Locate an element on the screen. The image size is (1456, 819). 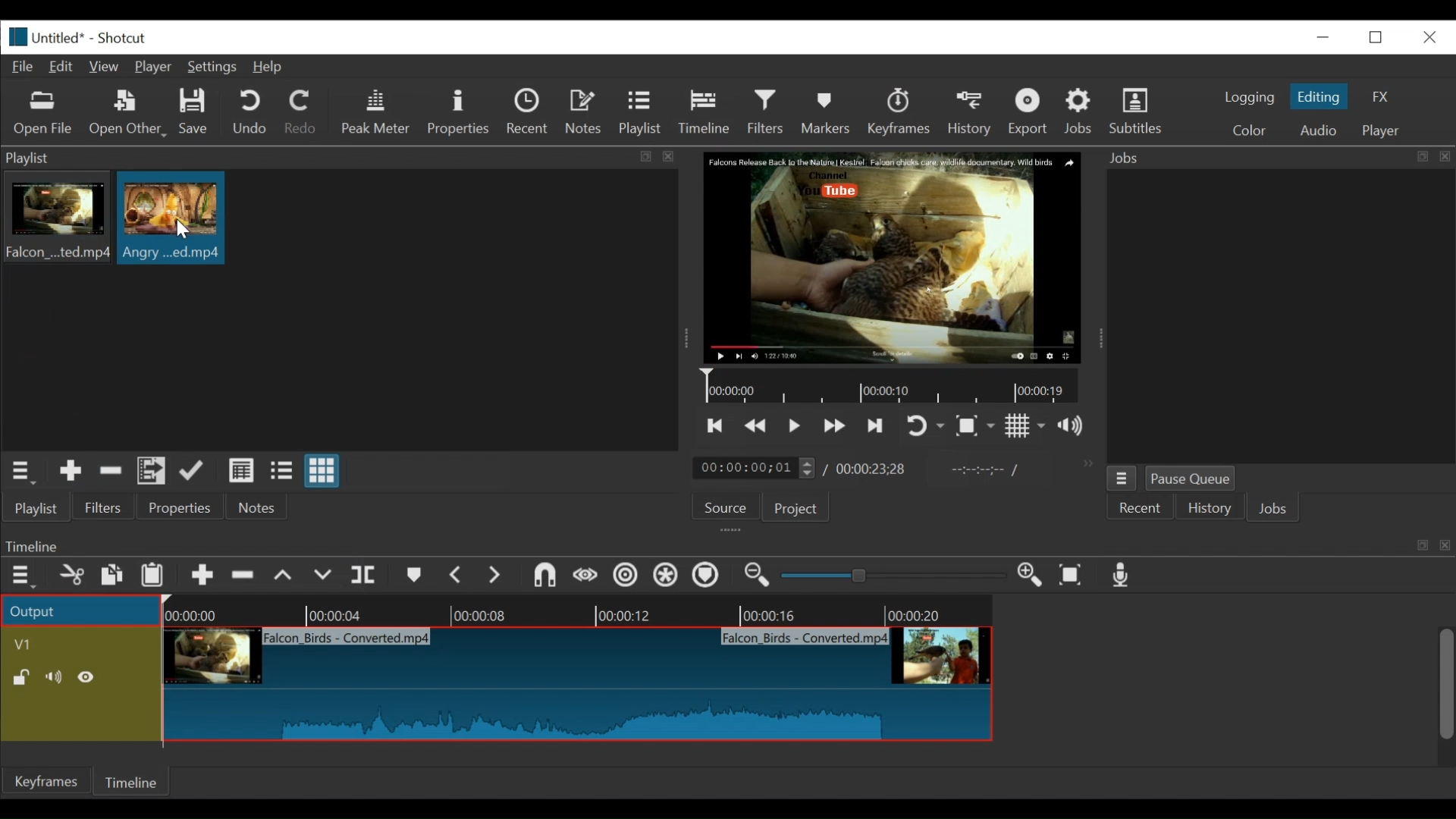
Open Other is located at coordinates (129, 114).